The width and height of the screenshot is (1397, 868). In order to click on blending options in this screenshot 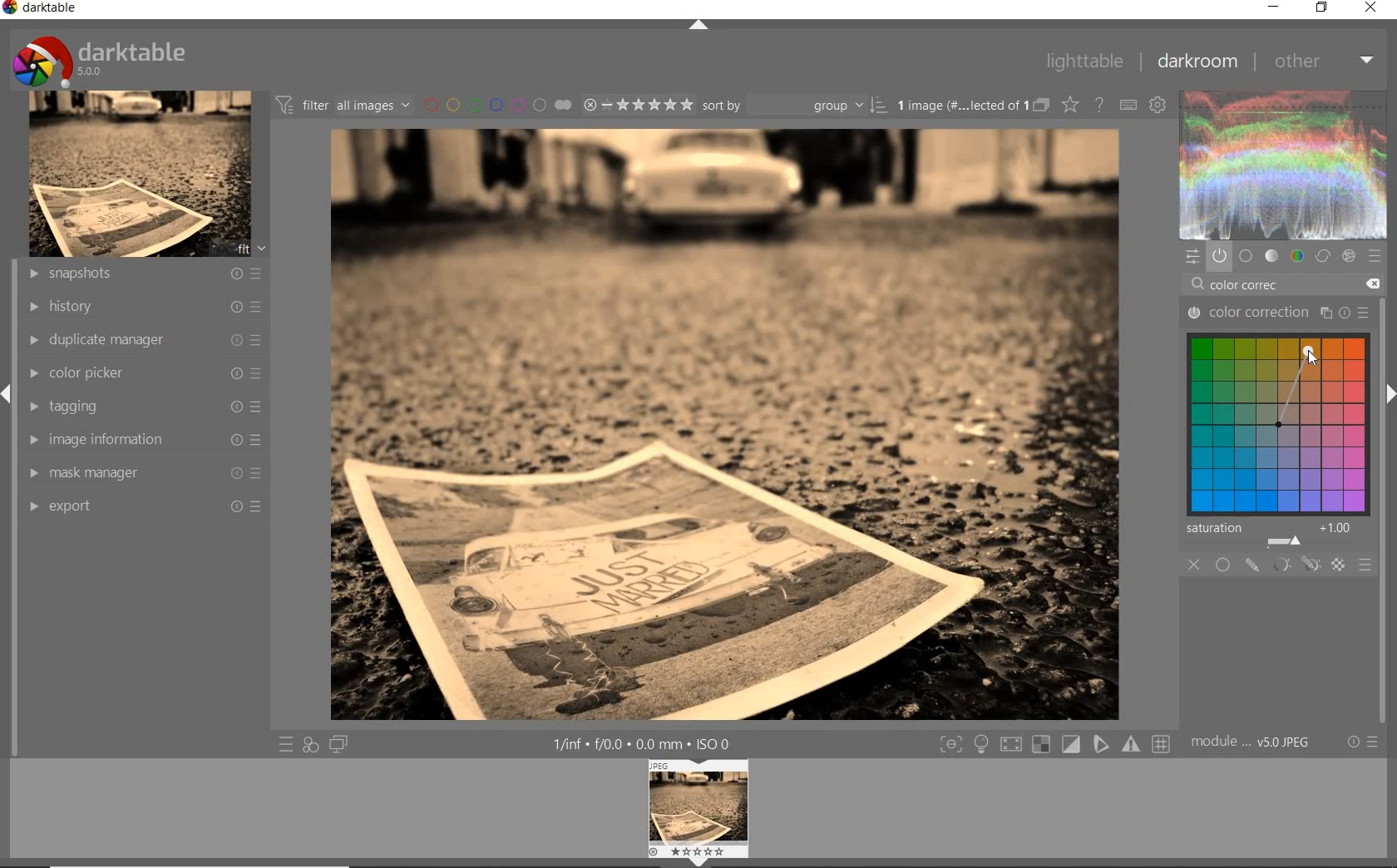, I will do `click(1365, 565)`.